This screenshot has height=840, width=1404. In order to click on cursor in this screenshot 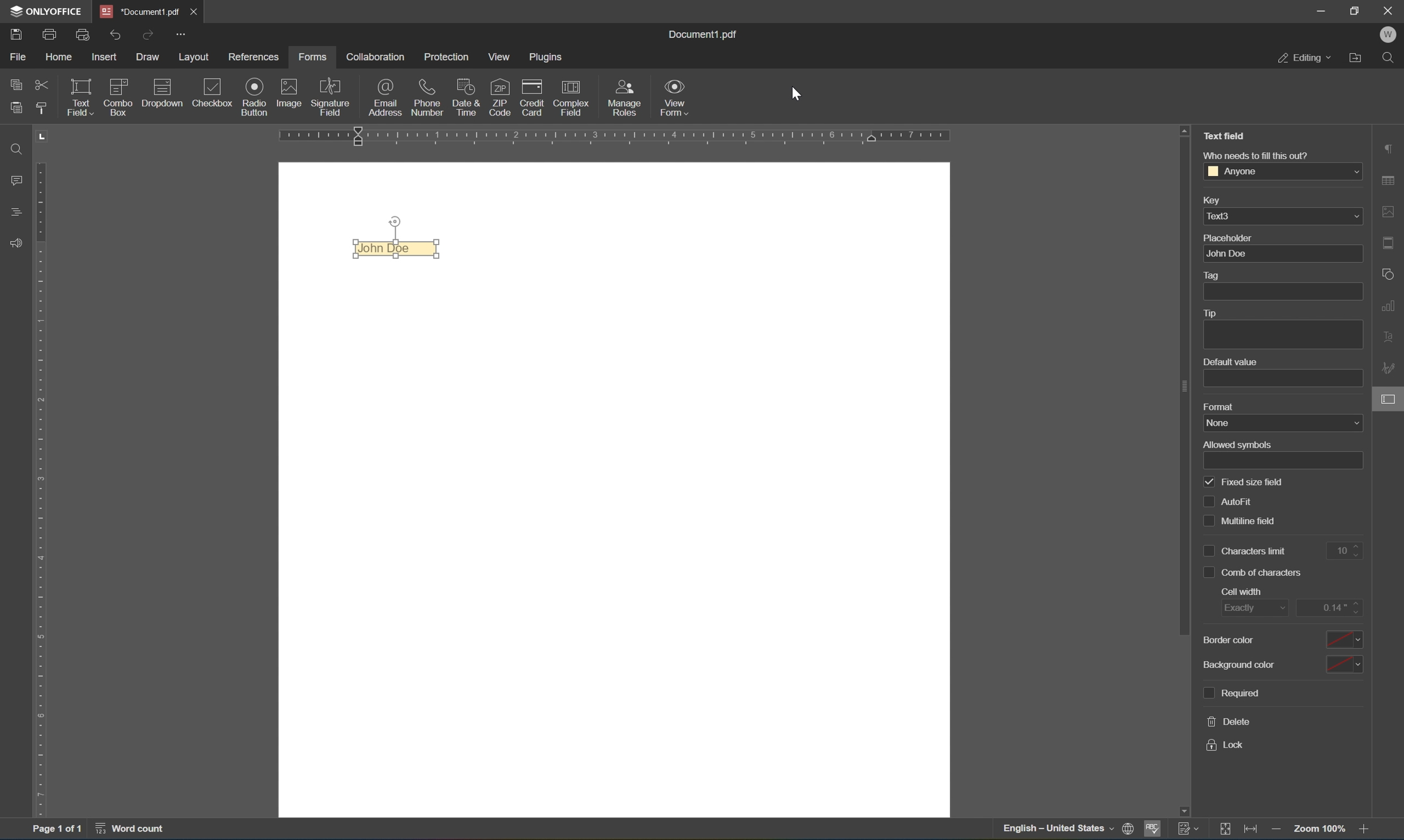, I will do `click(796, 93)`.